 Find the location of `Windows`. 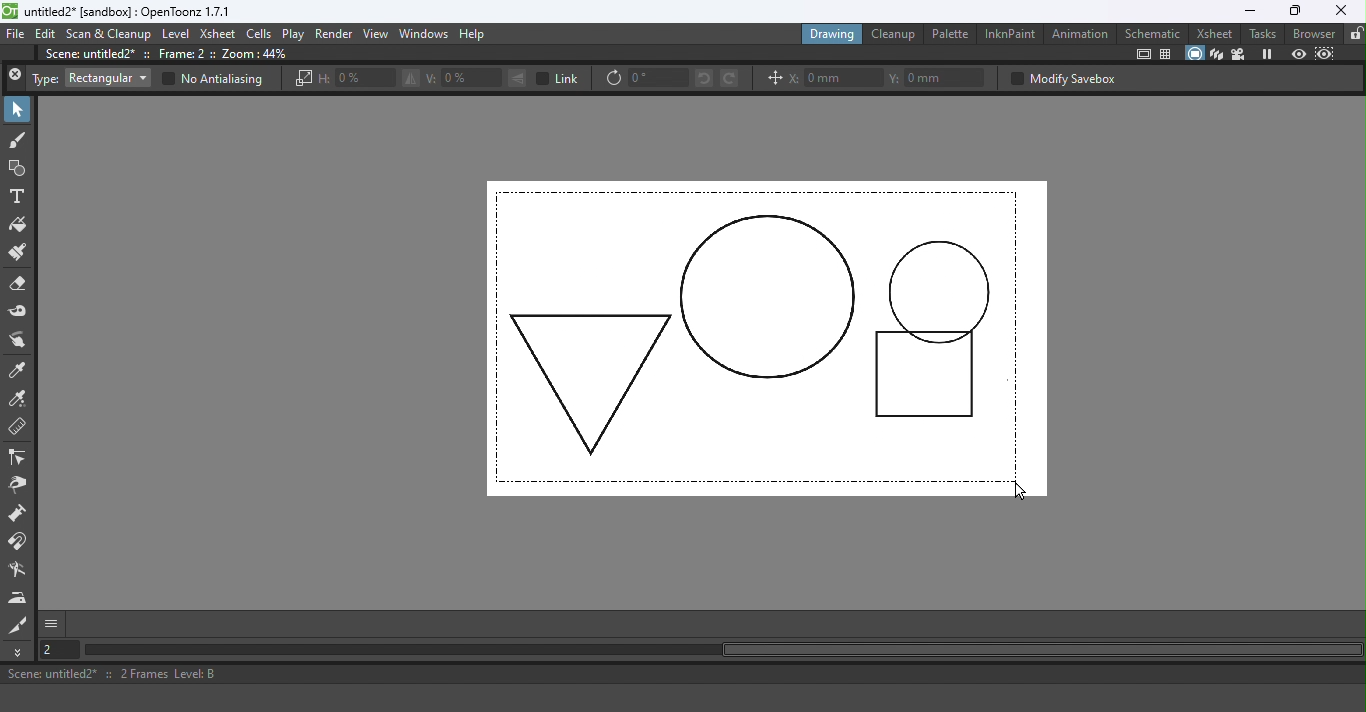

Windows is located at coordinates (423, 35).